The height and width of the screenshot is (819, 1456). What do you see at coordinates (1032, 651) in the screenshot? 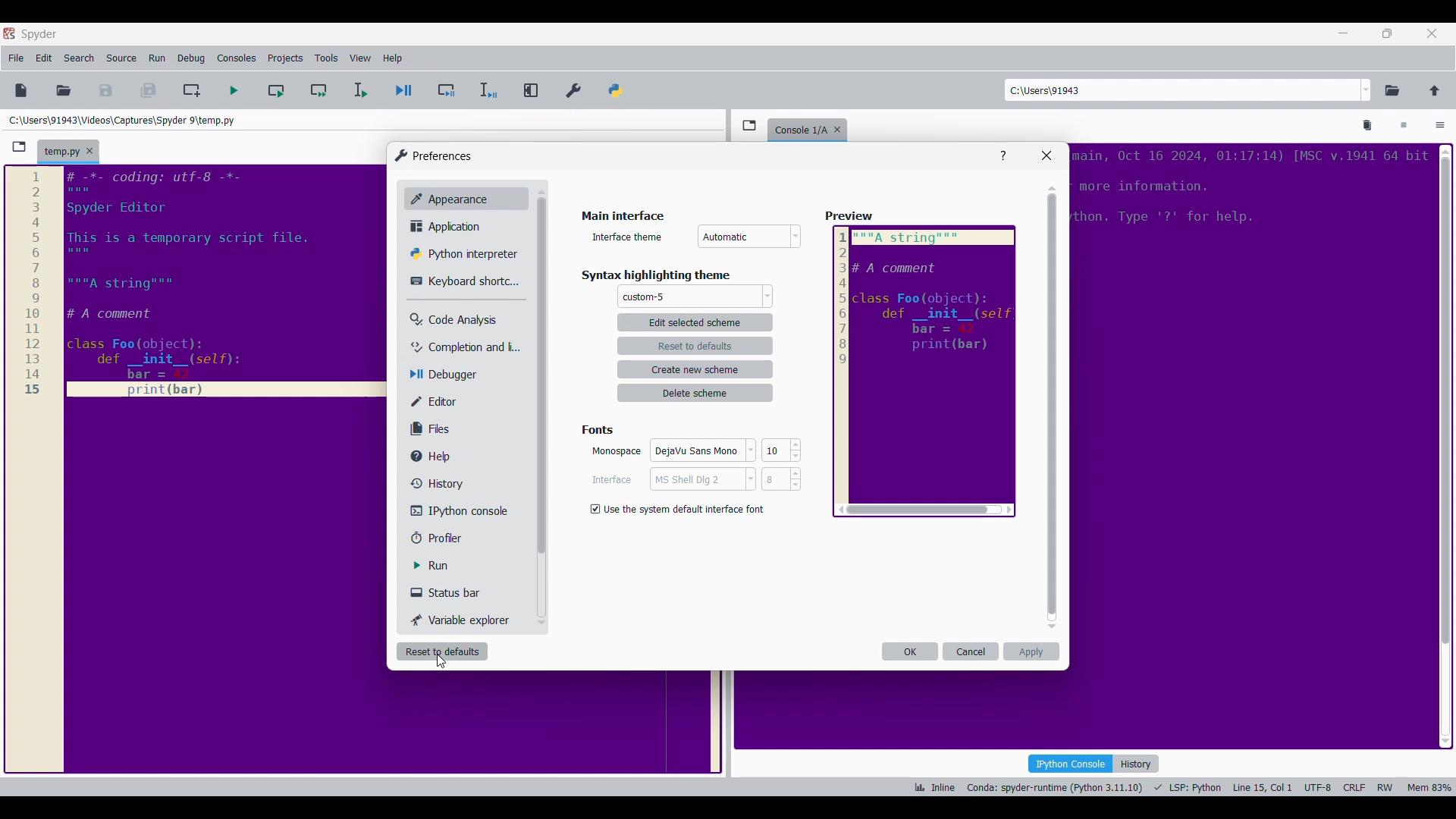
I see `Apply` at bounding box center [1032, 651].